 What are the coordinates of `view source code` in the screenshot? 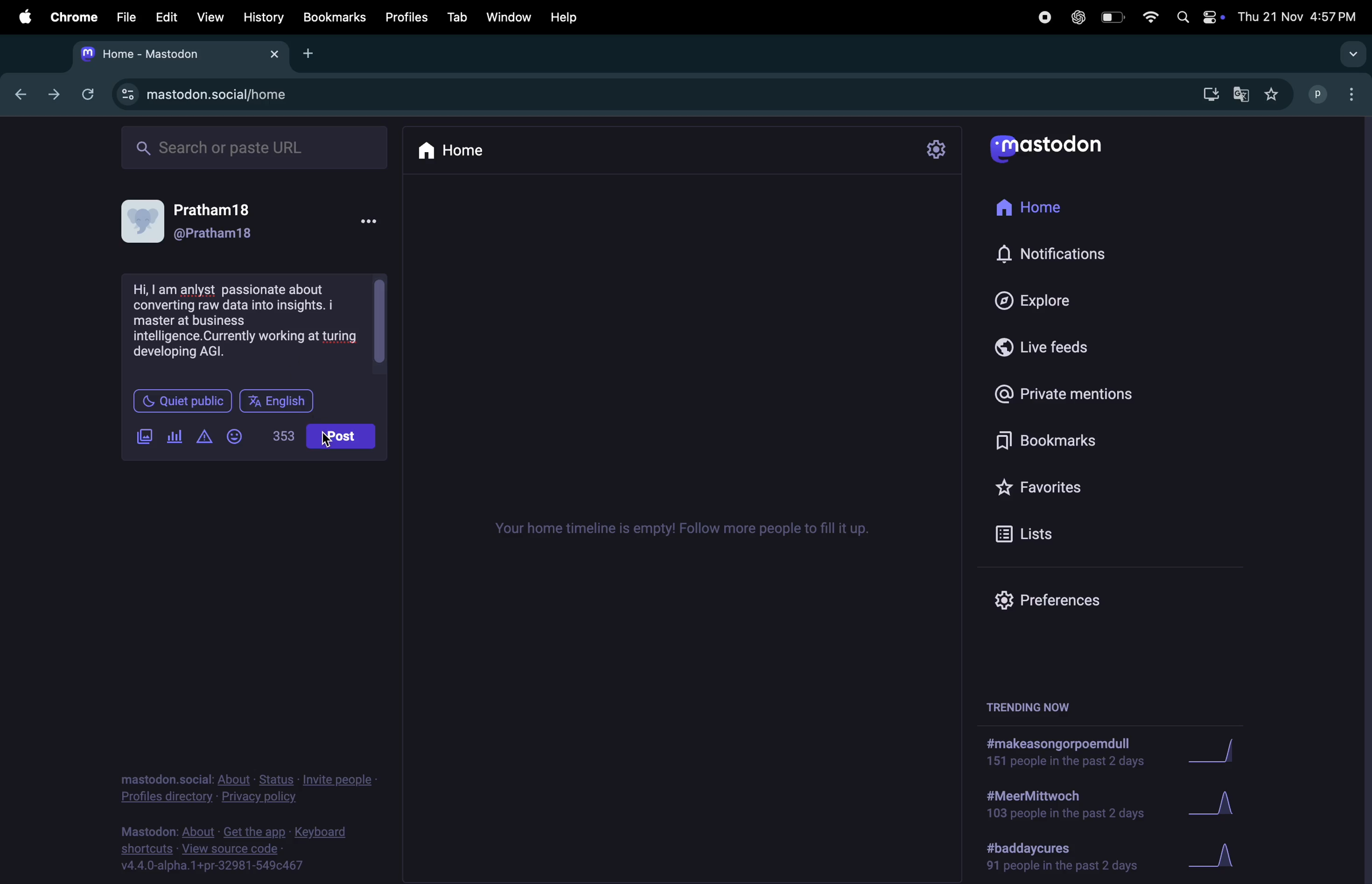 It's located at (230, 851).